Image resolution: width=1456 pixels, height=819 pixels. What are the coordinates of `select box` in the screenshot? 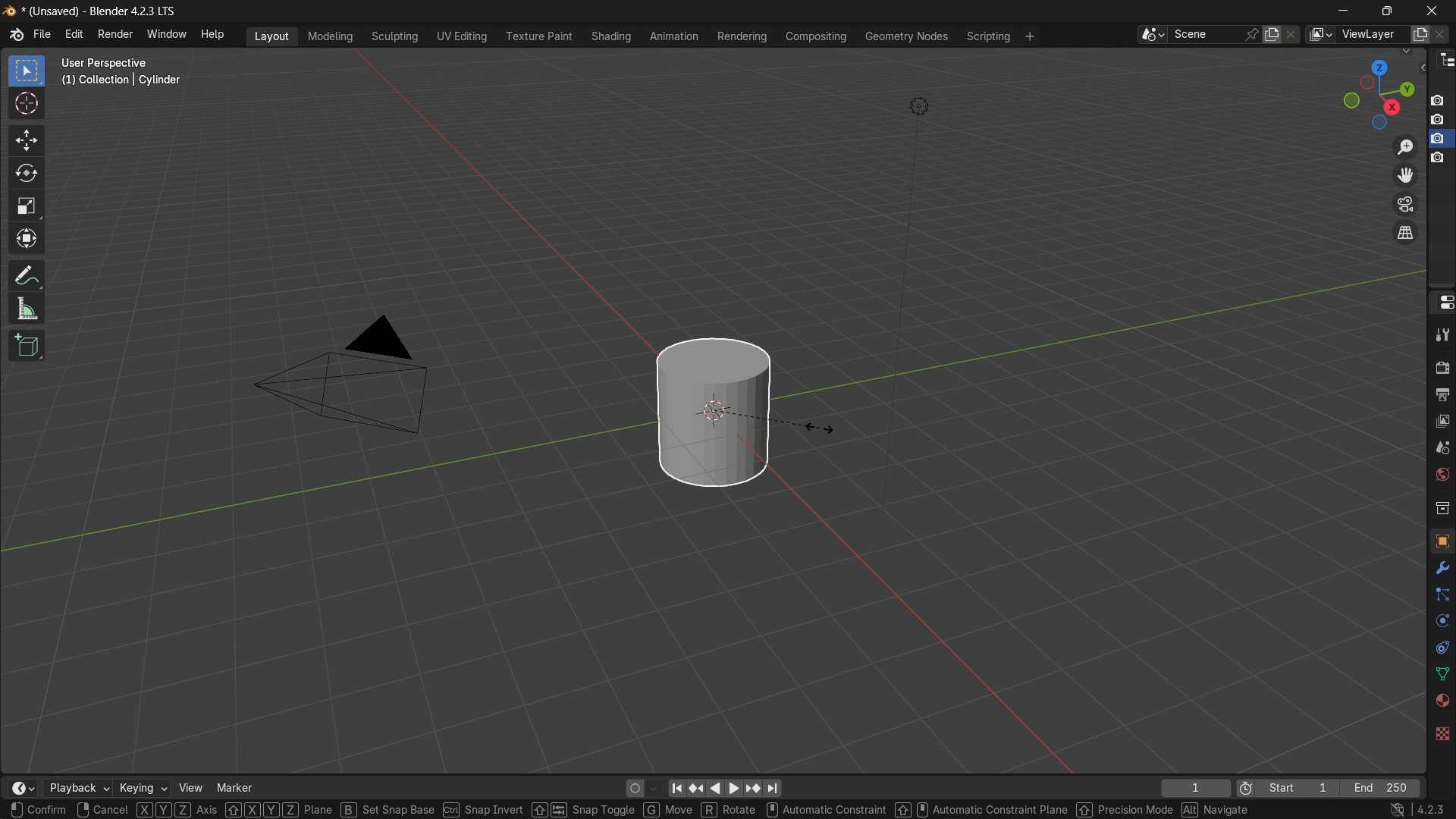 It's located at (29, 71).